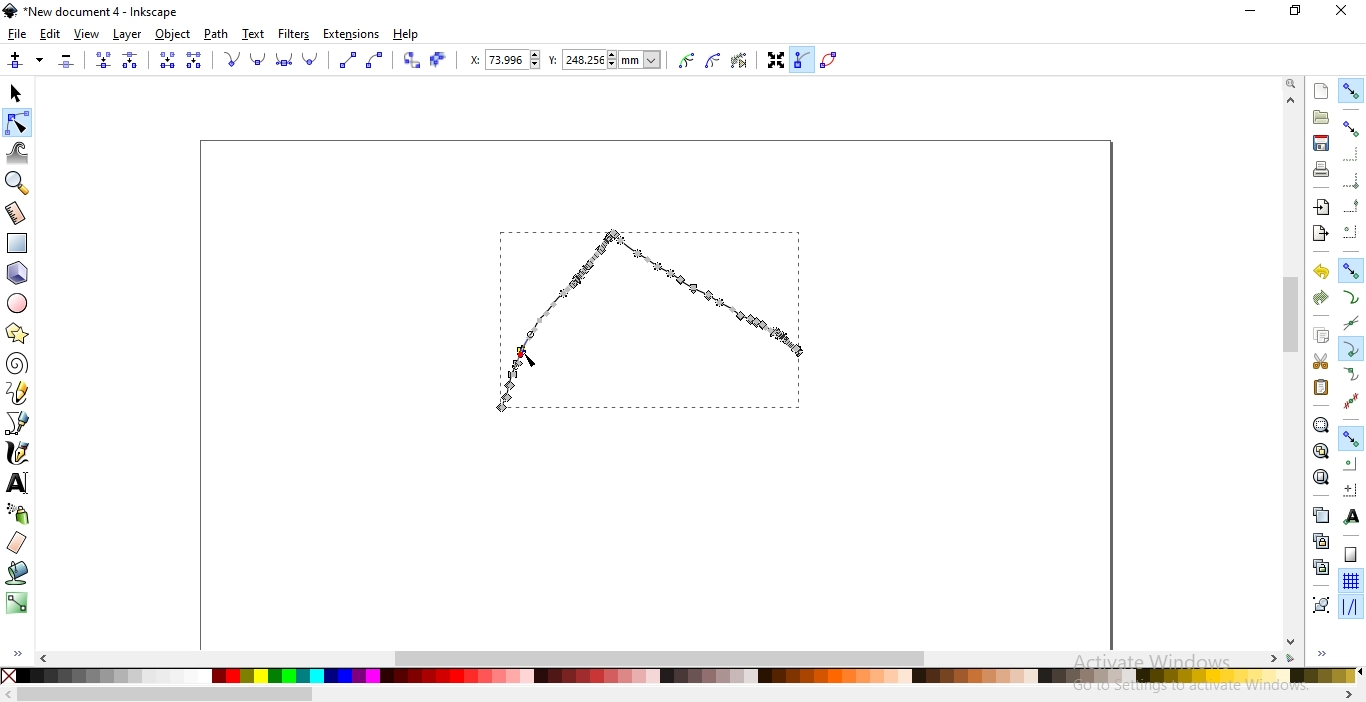  What do you see at coordinates (87, 35) in the screenshot?
I see `view` at bounding box center [87, 35].